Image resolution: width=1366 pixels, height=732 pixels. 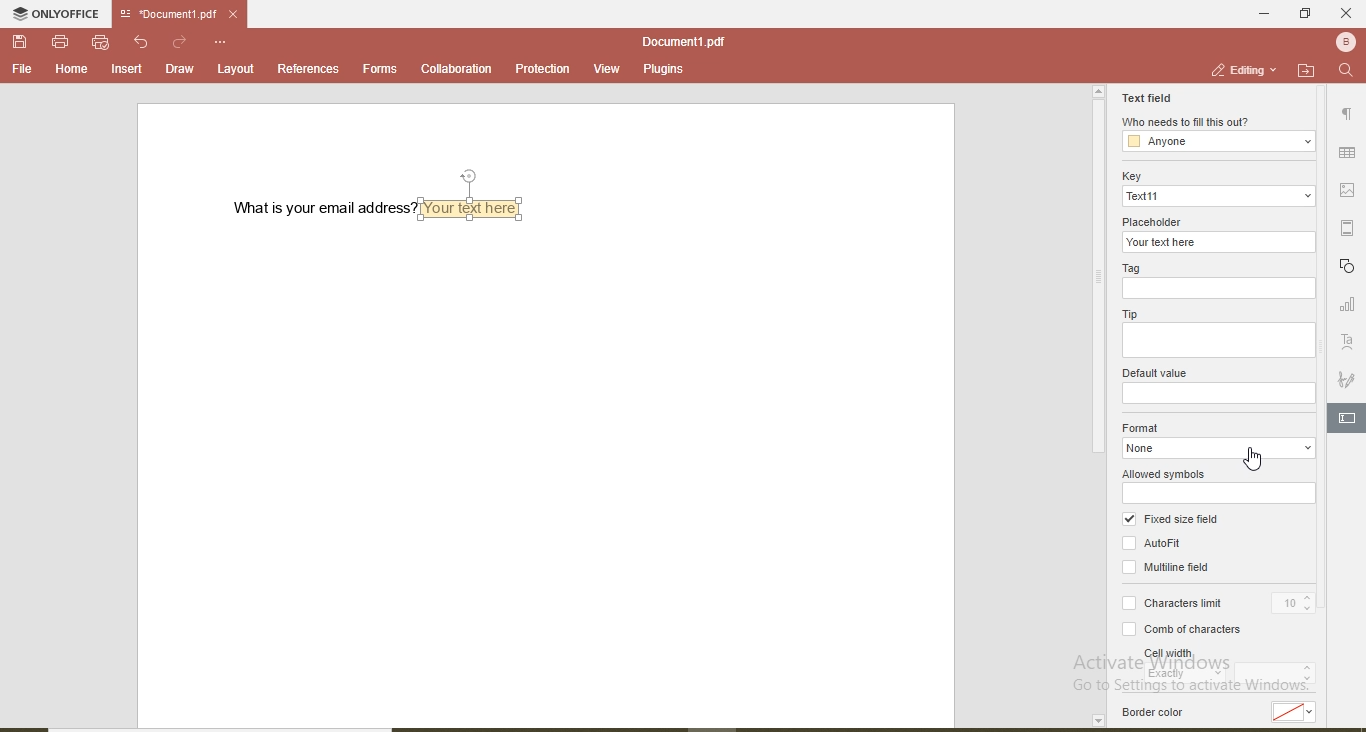 What do you see at coordinates (1175, 631) in the screenshot?
I see `comb of characters` at bounding box center [1175, 631].